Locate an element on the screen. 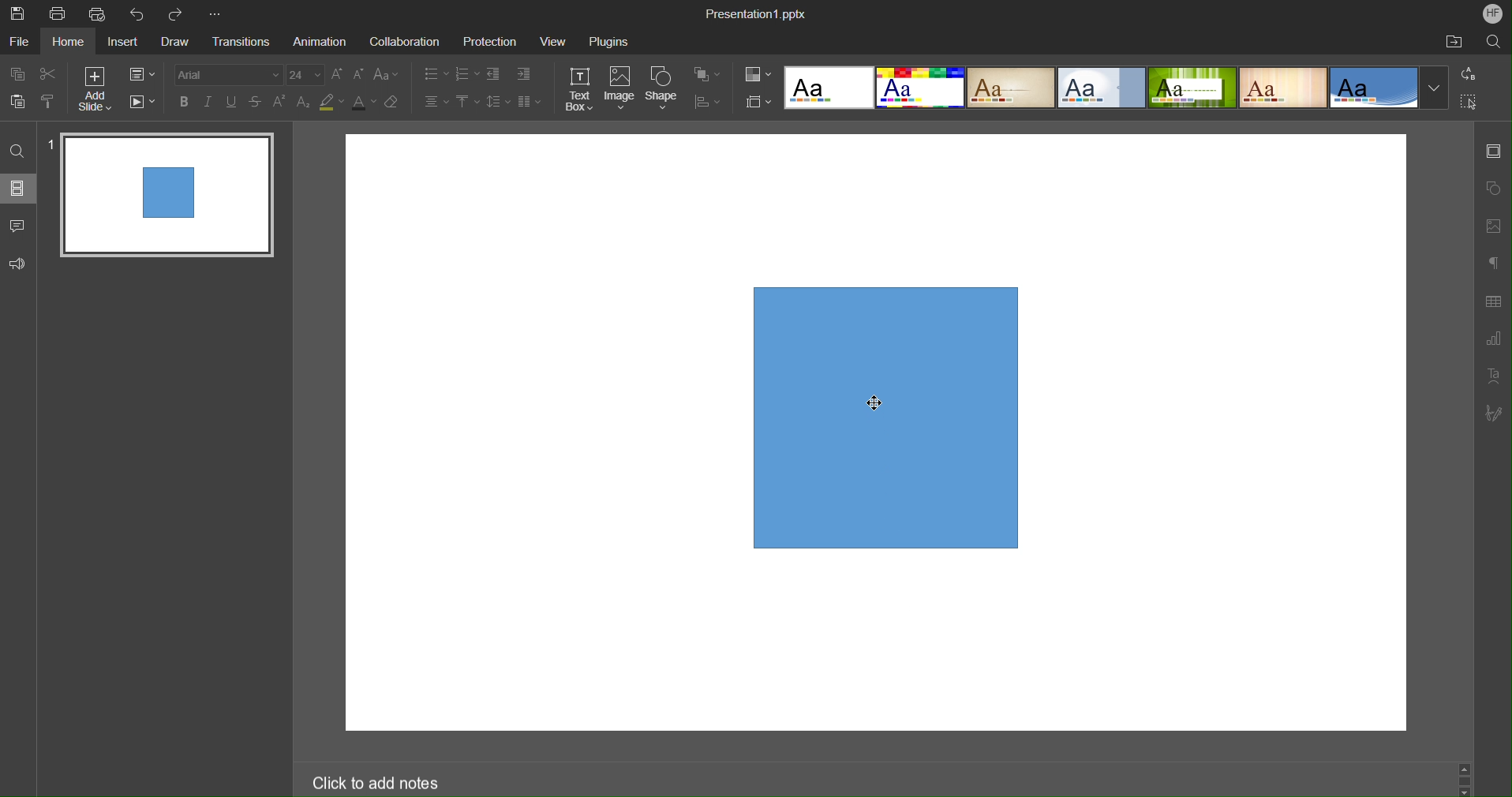 The width and height of the screenshot is (1512, 797). Open File Location is located at coordinates (1449, 41).